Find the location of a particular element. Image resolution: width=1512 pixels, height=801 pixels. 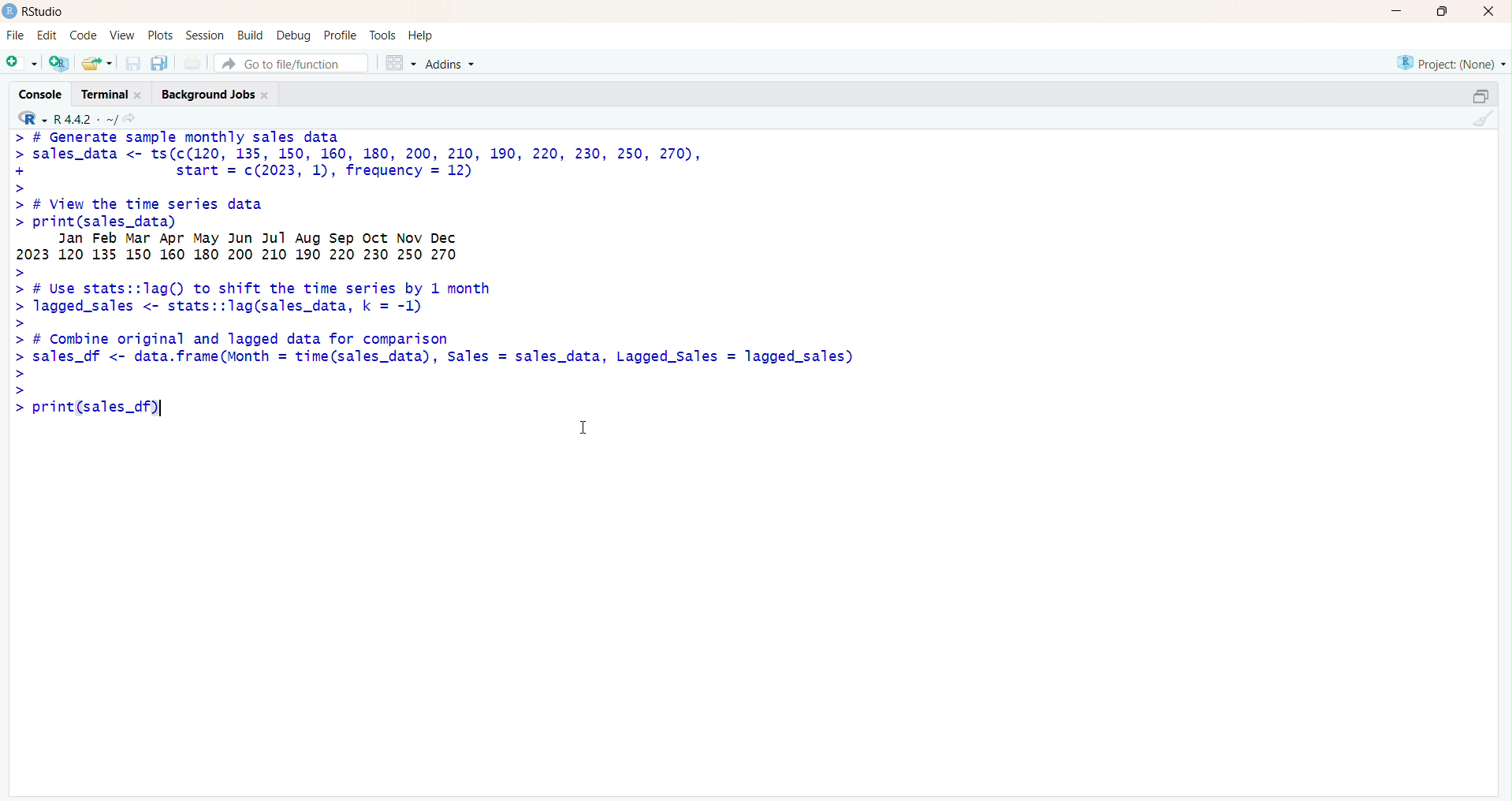

save current document is located at coordinates (134, 64).